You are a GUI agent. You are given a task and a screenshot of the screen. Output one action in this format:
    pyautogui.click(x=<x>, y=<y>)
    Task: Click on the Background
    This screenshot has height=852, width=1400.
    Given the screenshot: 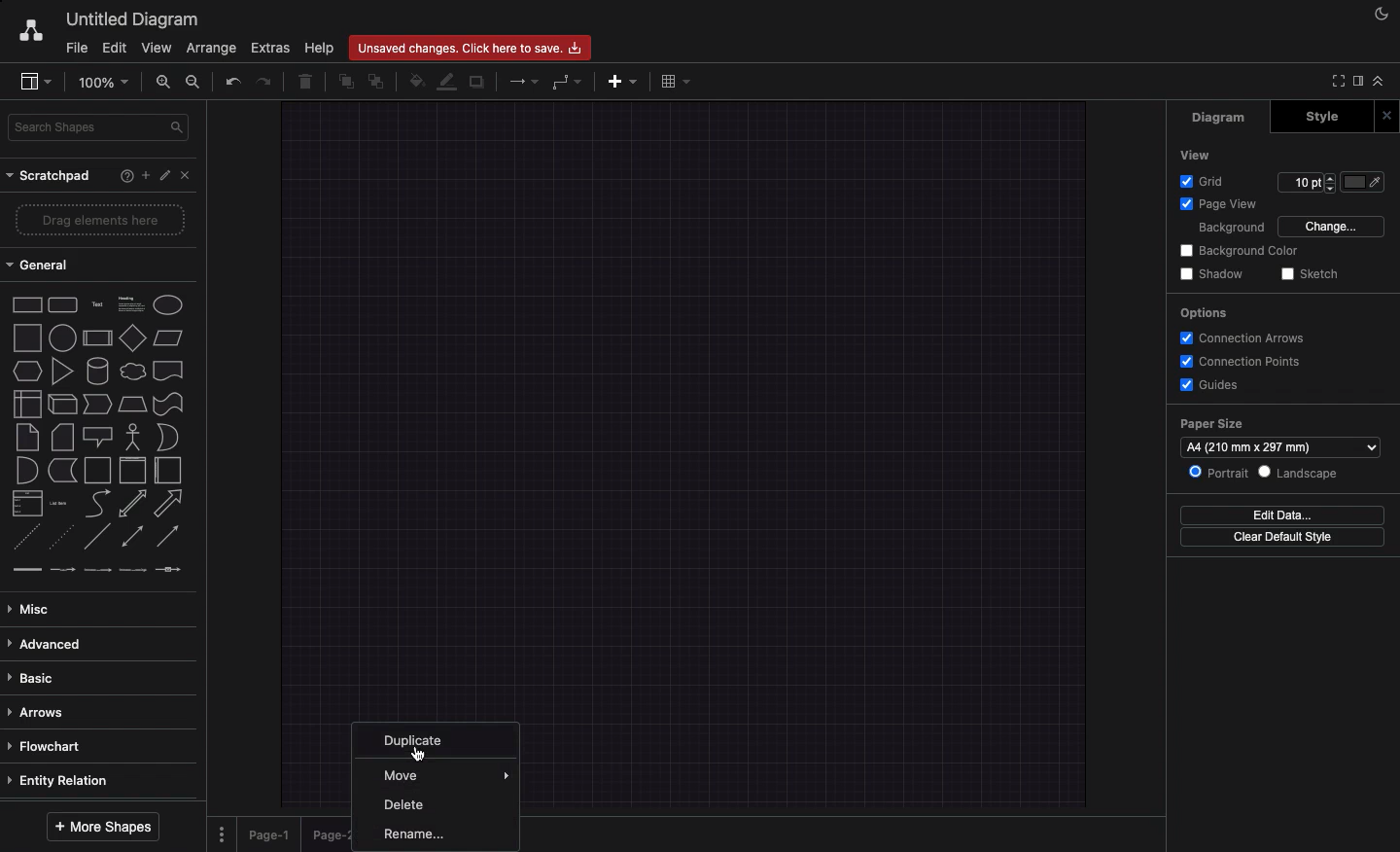 What is the action you would take?
    pyautogui.click(x=1229, y=228)
    